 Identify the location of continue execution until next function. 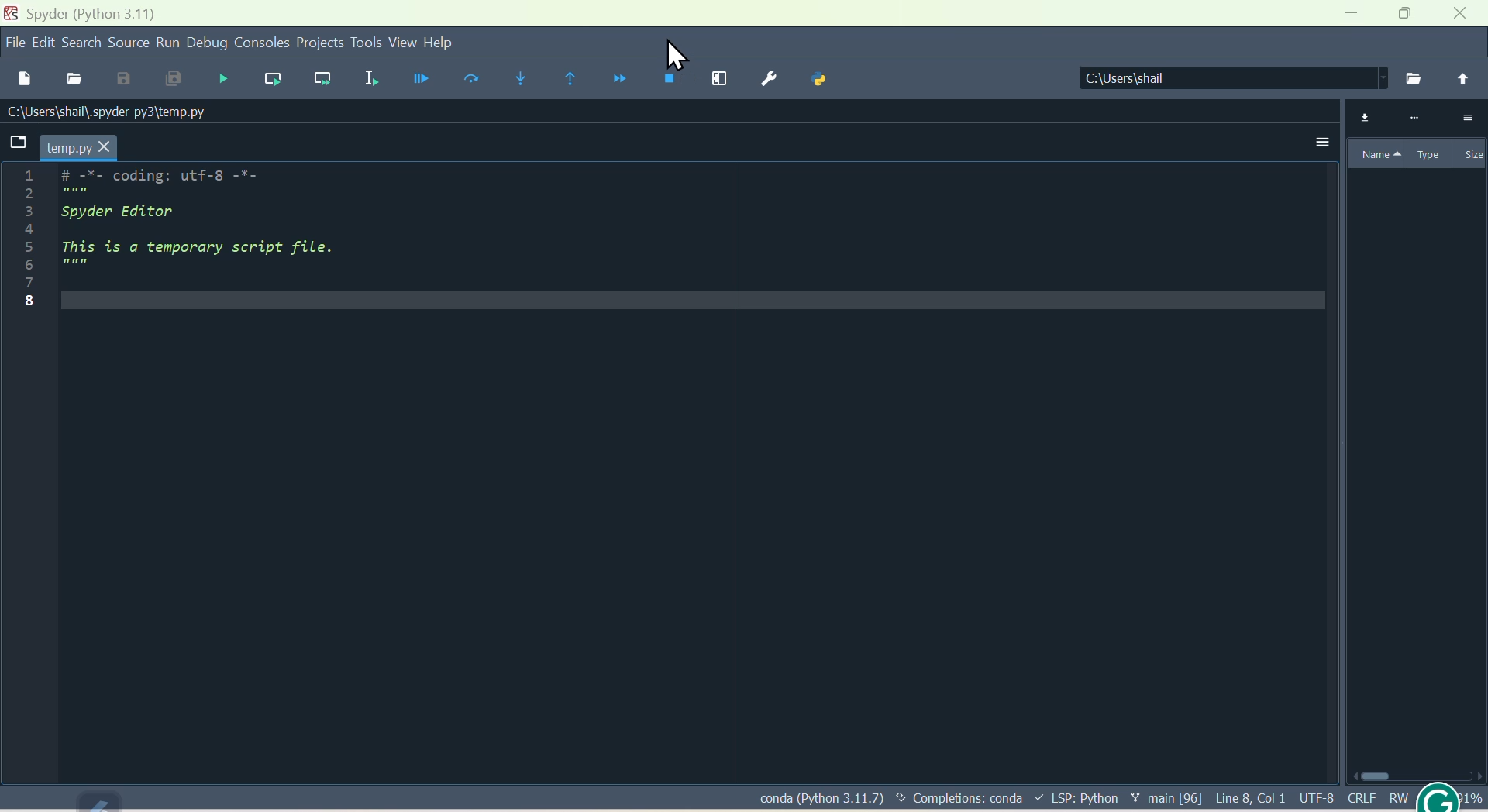
(611, 79).